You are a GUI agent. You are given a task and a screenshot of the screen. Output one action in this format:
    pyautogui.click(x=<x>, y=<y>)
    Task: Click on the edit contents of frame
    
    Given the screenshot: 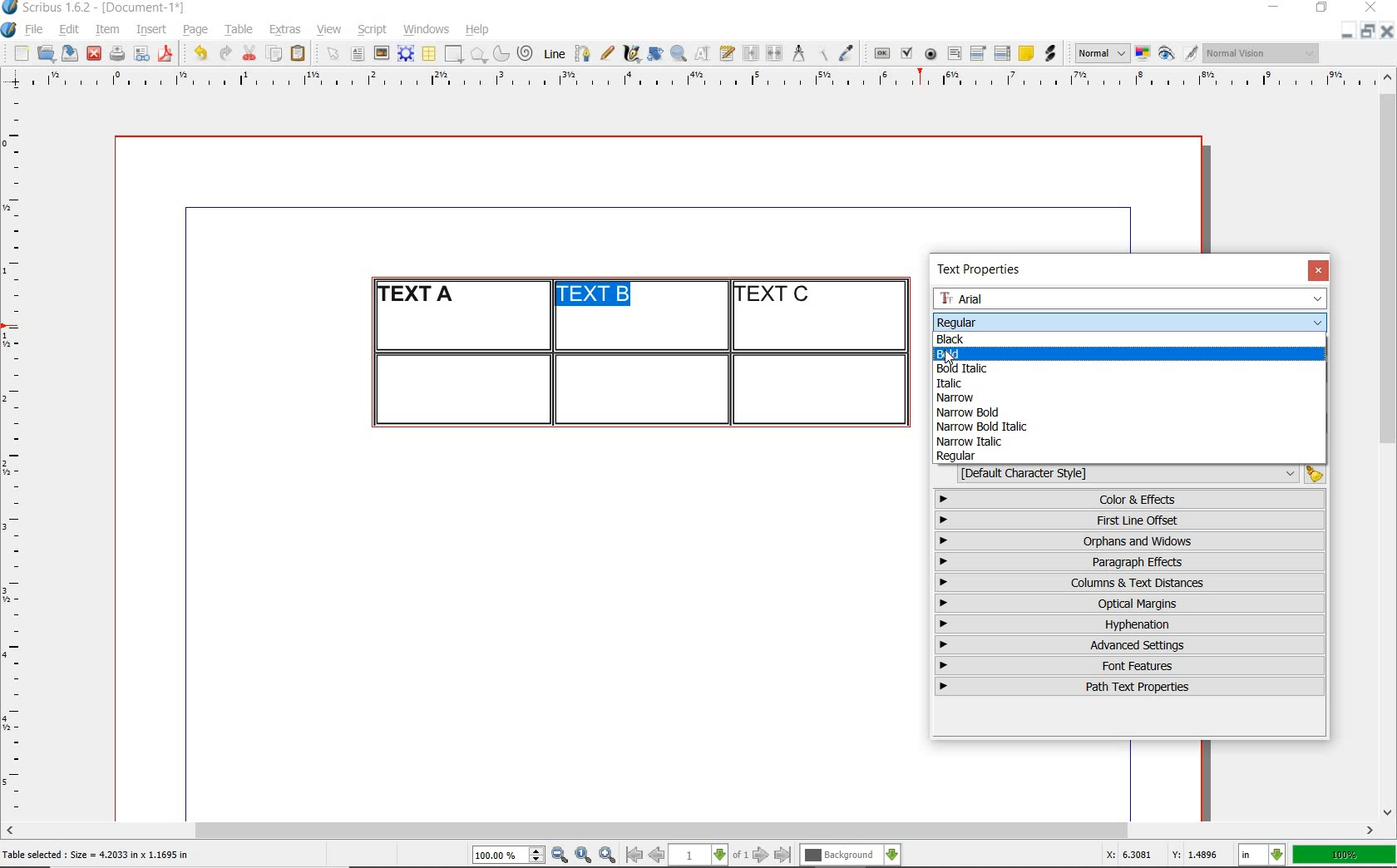 What is the action you would take?
    pyautogui.click(x=703, y=52)
    